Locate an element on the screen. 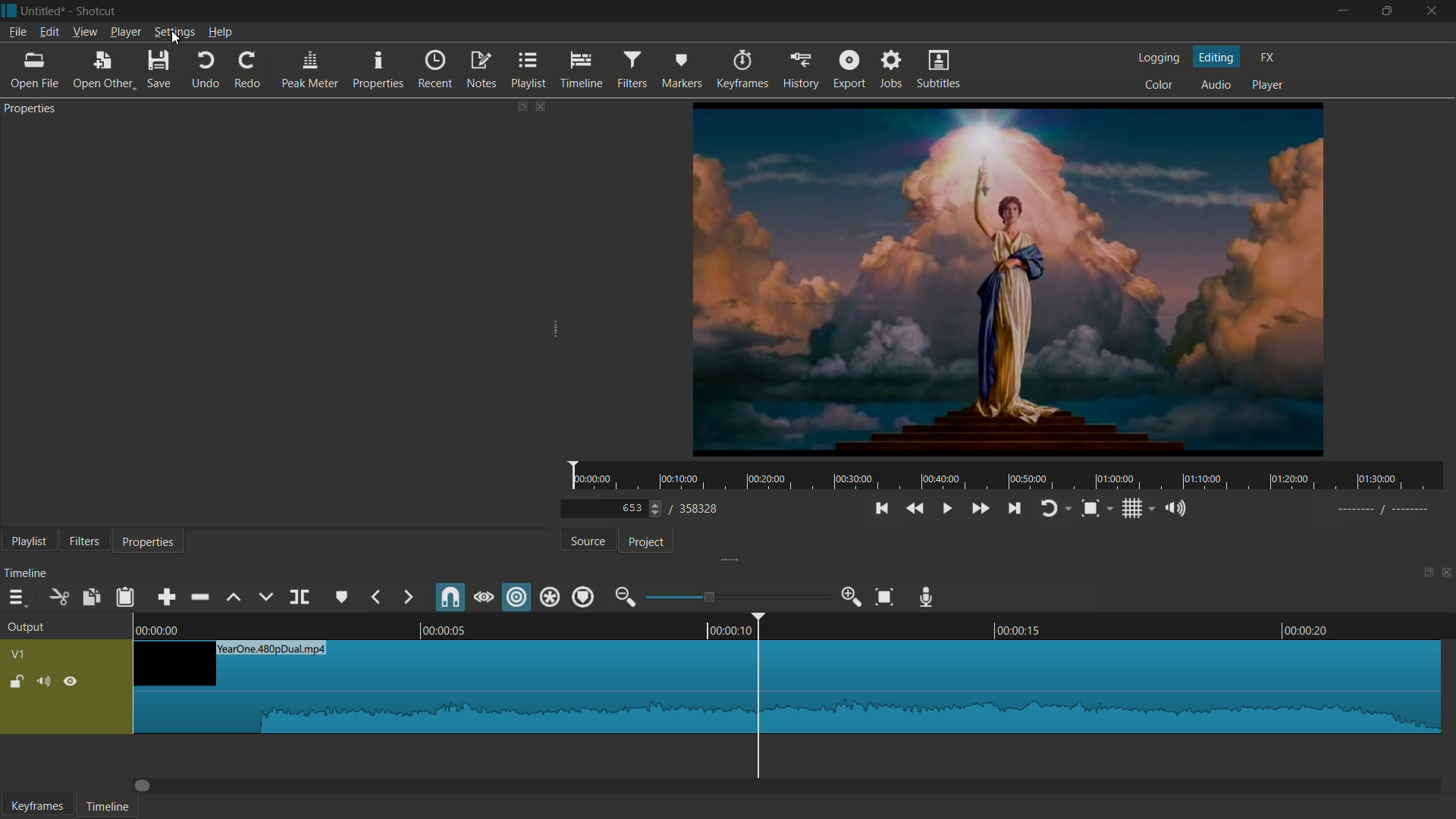 The image size is (1456, 819). 00.00.10 is located at coordinates (741, 620).